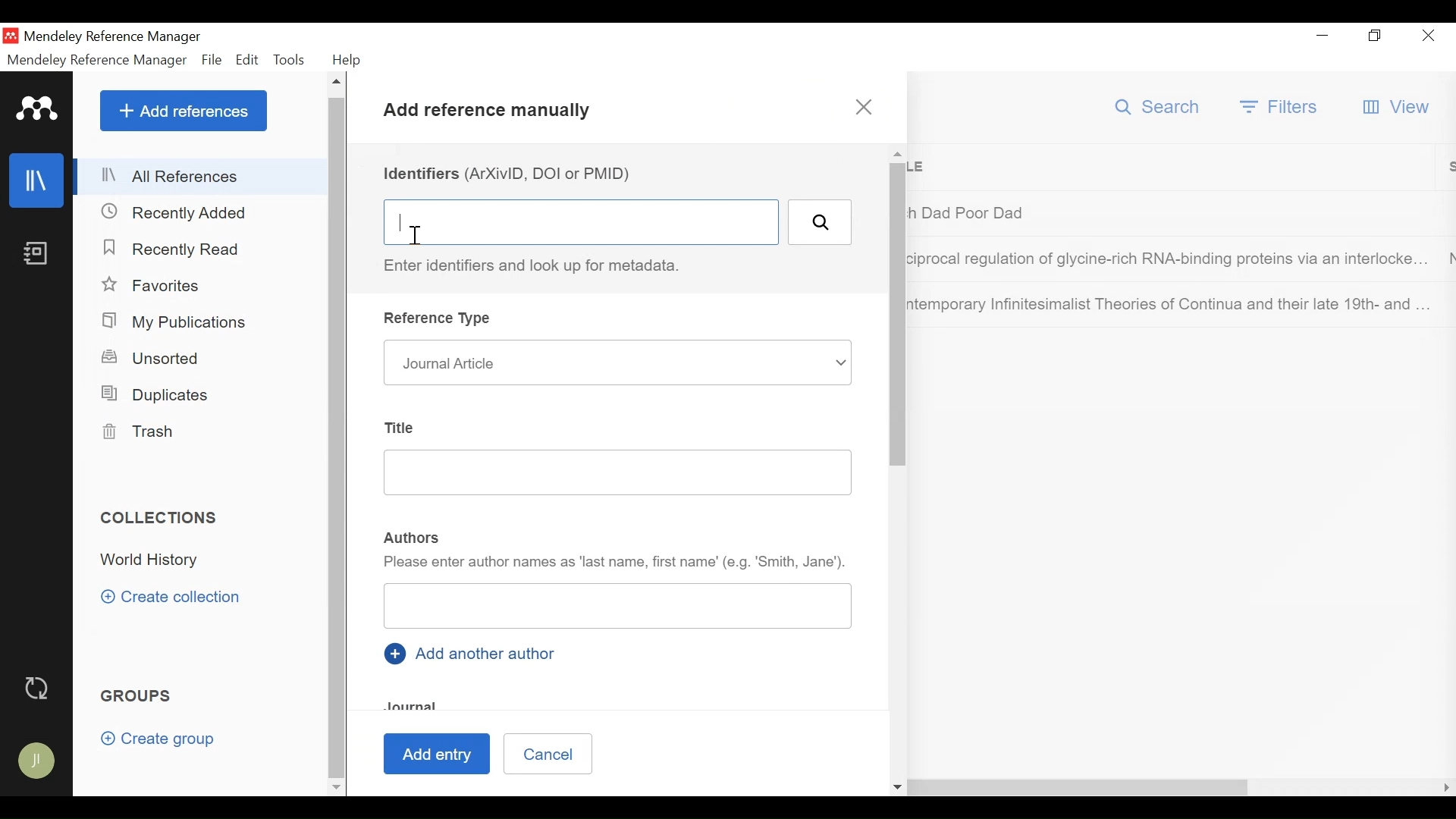  I want to click on Add Entry, so click(435, 755).